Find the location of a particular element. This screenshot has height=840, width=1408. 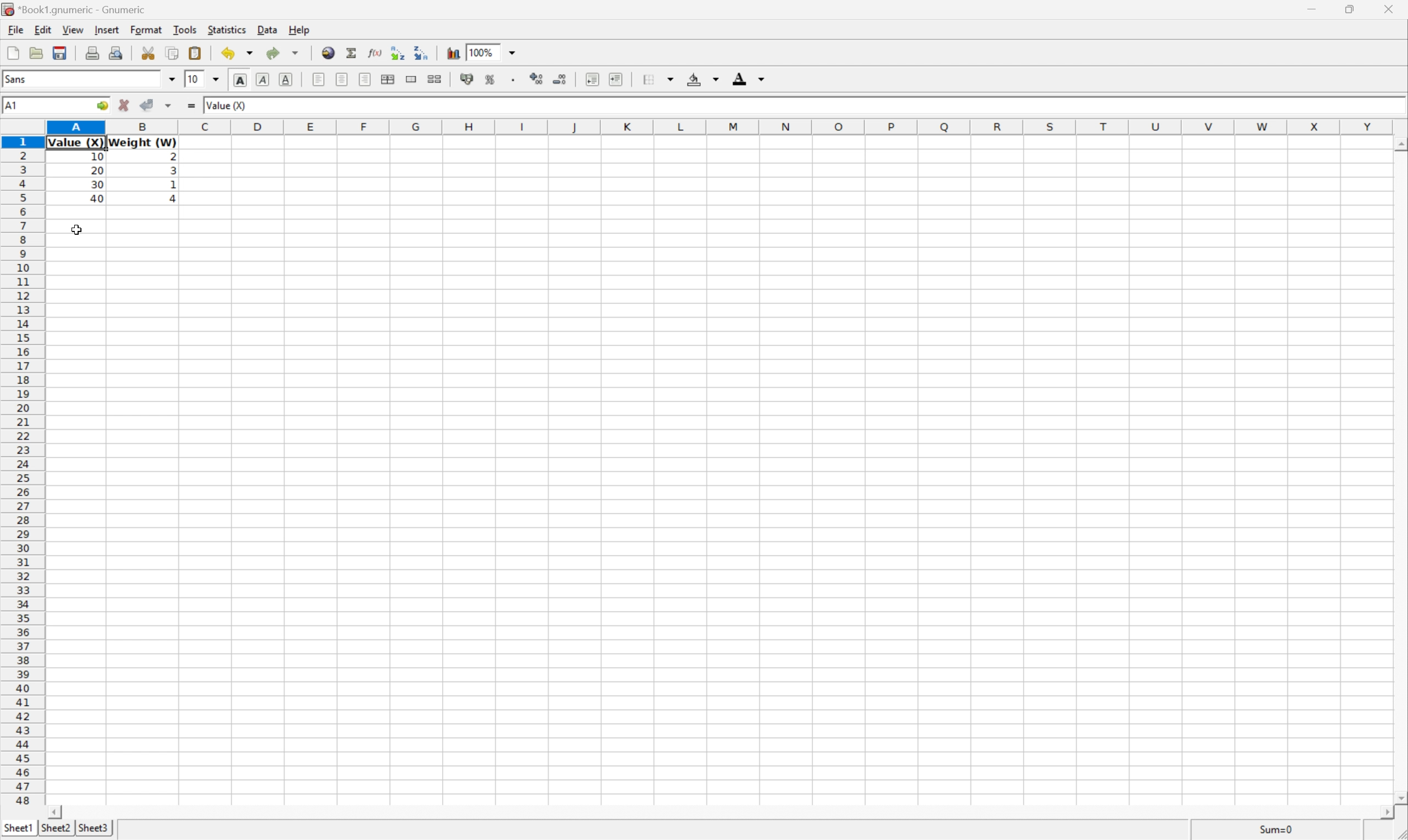

Close is located at coordinates (1389, 10).